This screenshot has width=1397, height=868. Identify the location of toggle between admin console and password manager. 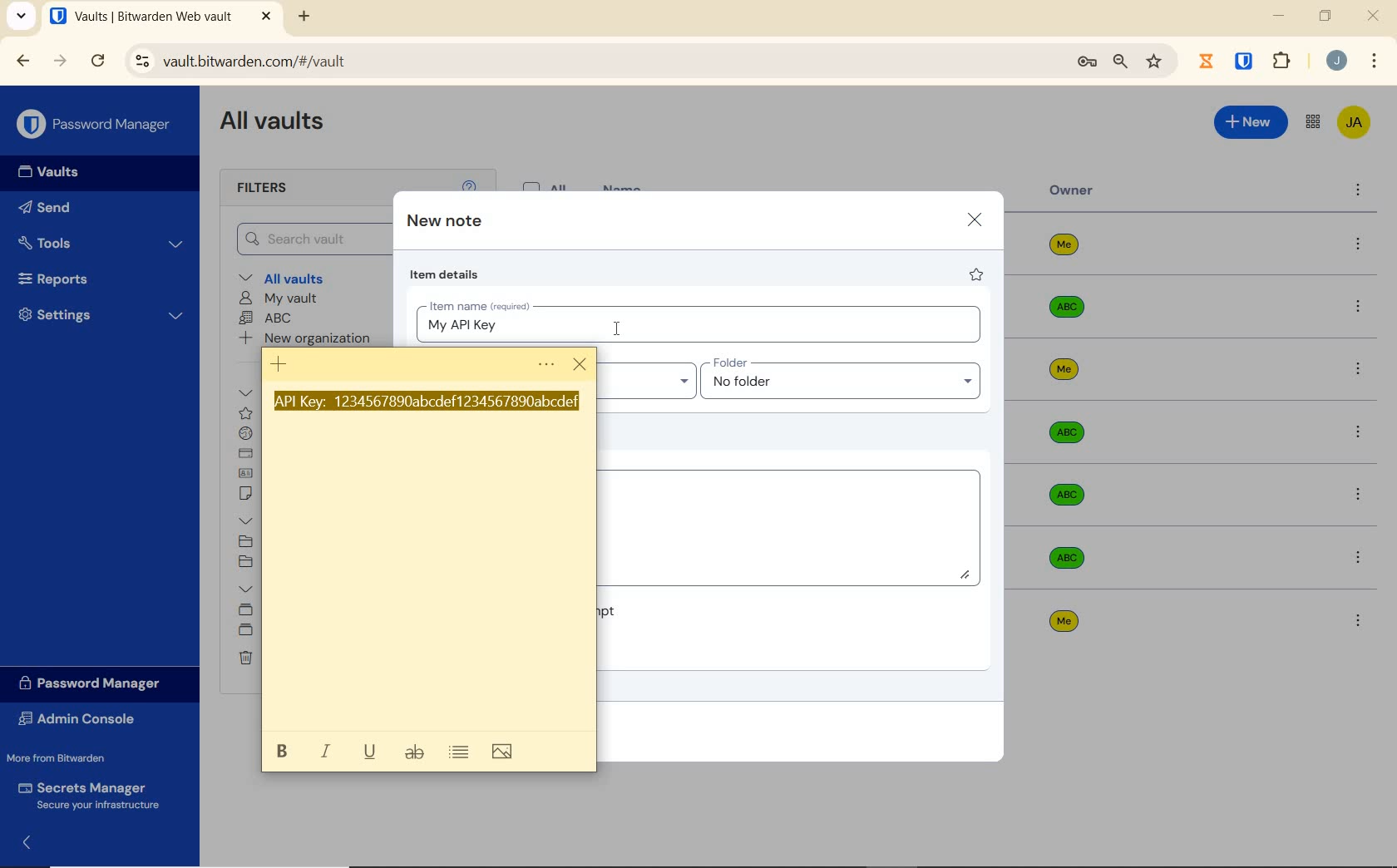
(1311, 122).